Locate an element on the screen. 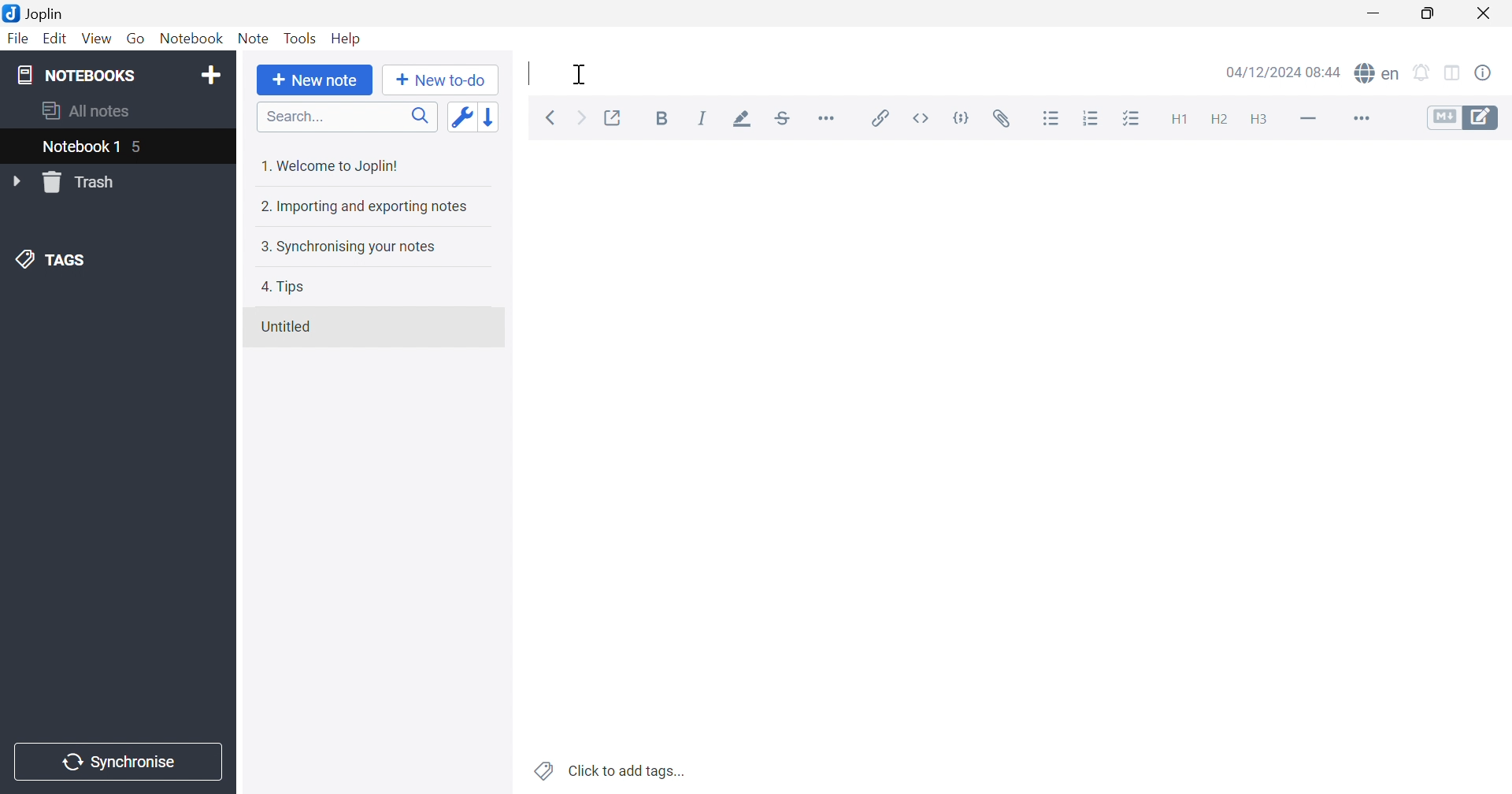  Cursor is located at coordinates (584, 76).